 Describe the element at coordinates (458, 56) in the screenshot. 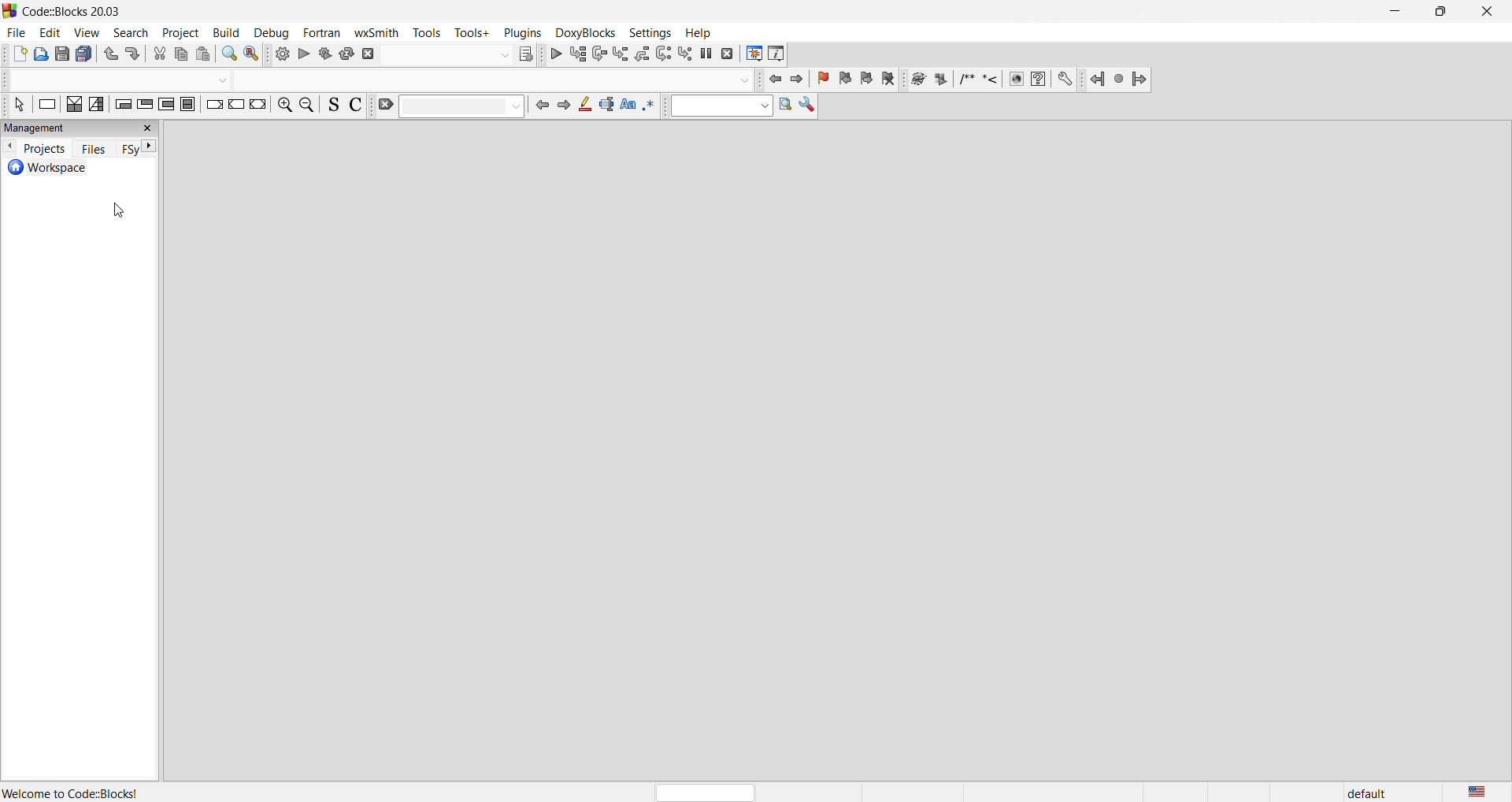

I see `show the select target dialog` at that location.